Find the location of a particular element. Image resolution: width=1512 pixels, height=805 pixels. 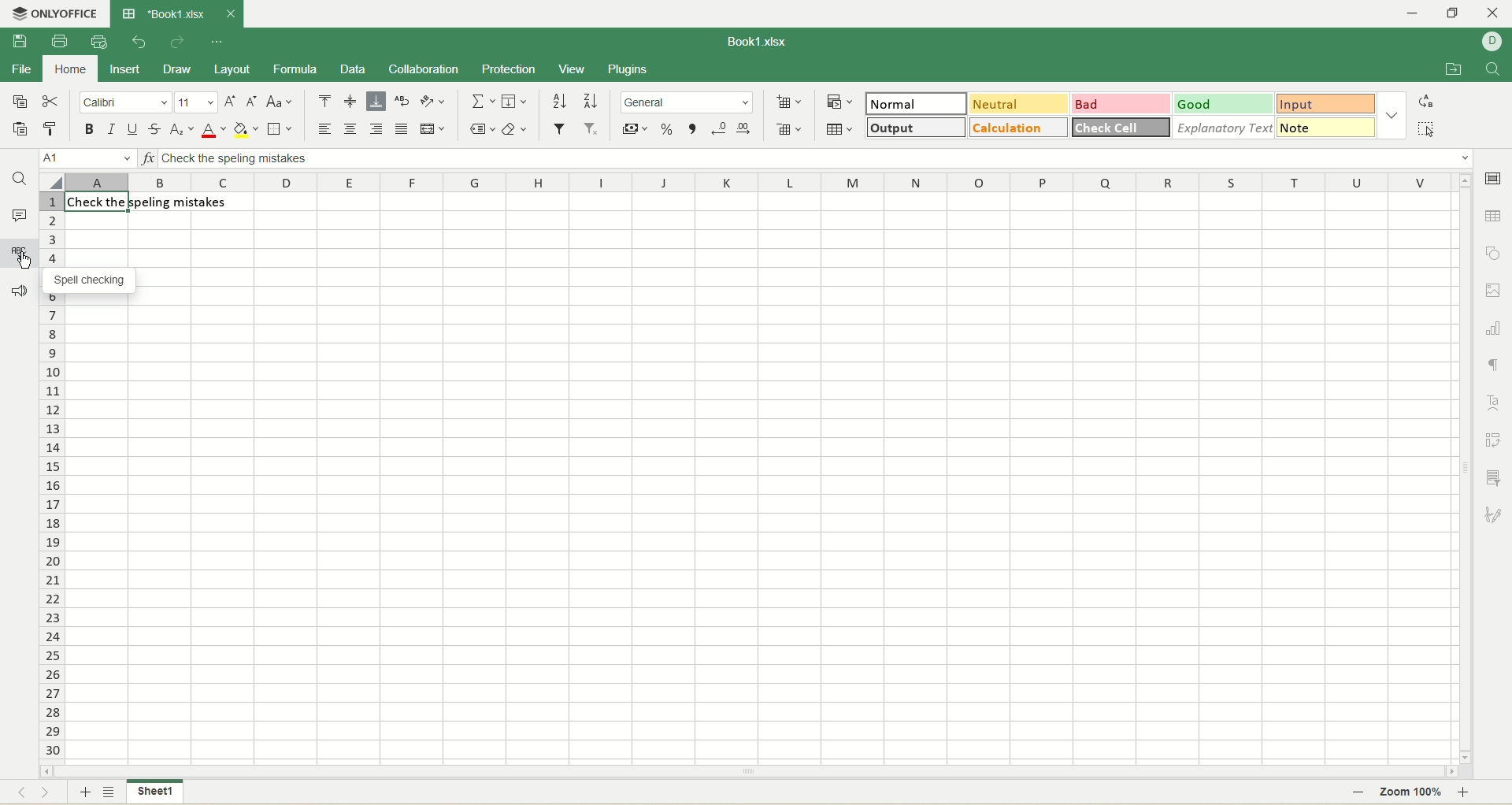

pivot settings is located at coordinates (1495, 438).